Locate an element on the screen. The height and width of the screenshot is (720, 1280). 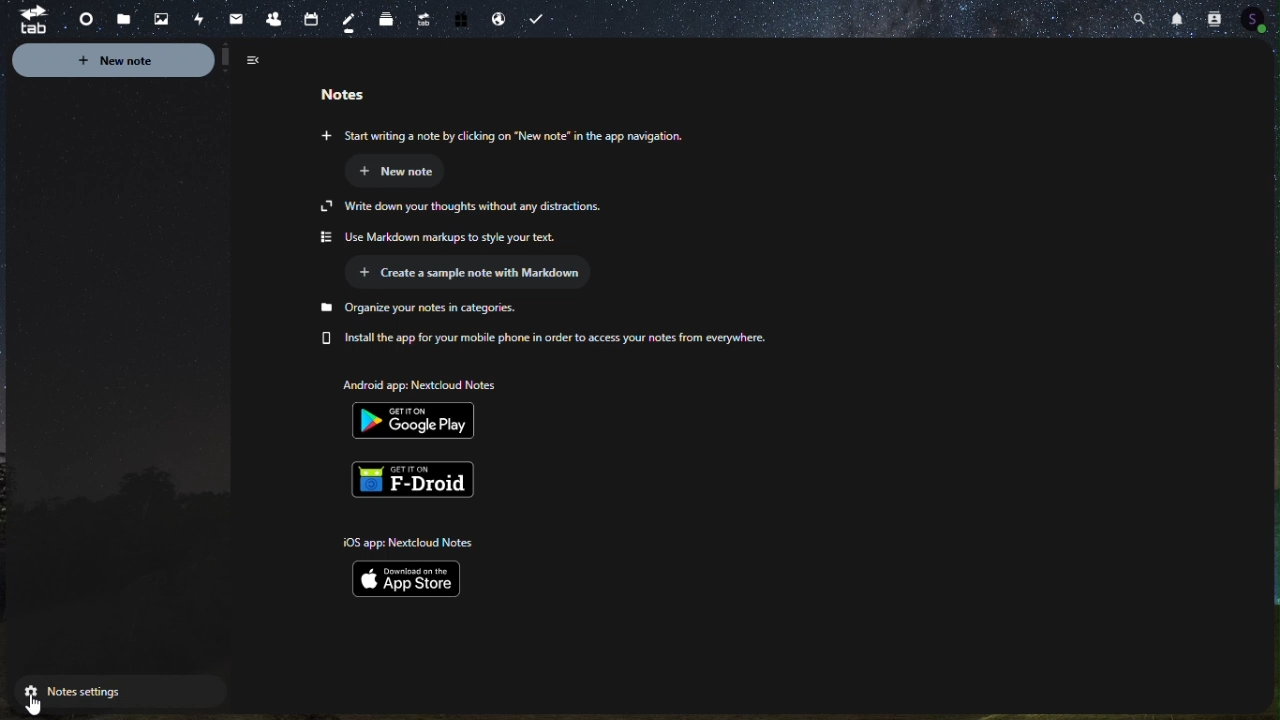
deck is located at coordinates (386, 17).